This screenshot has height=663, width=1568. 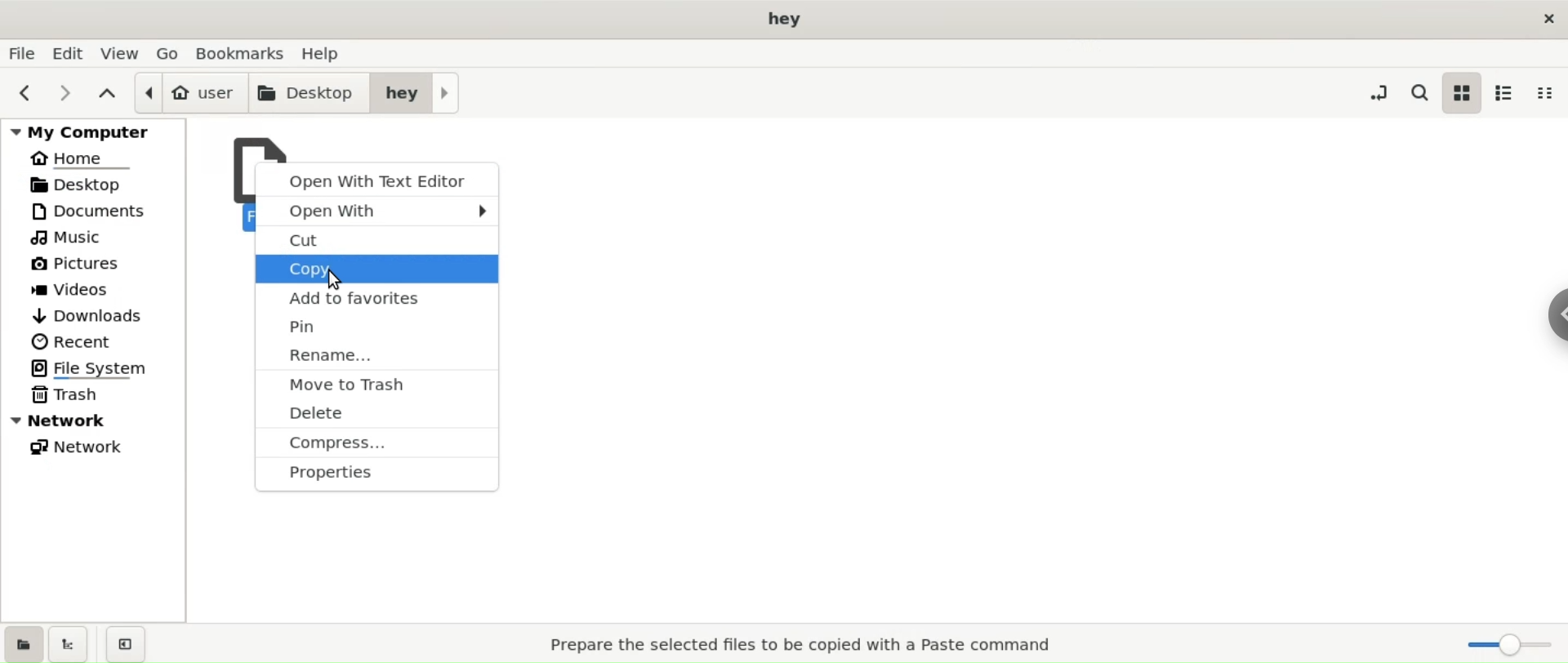 I want to click on others, so click(x=372, y=478).